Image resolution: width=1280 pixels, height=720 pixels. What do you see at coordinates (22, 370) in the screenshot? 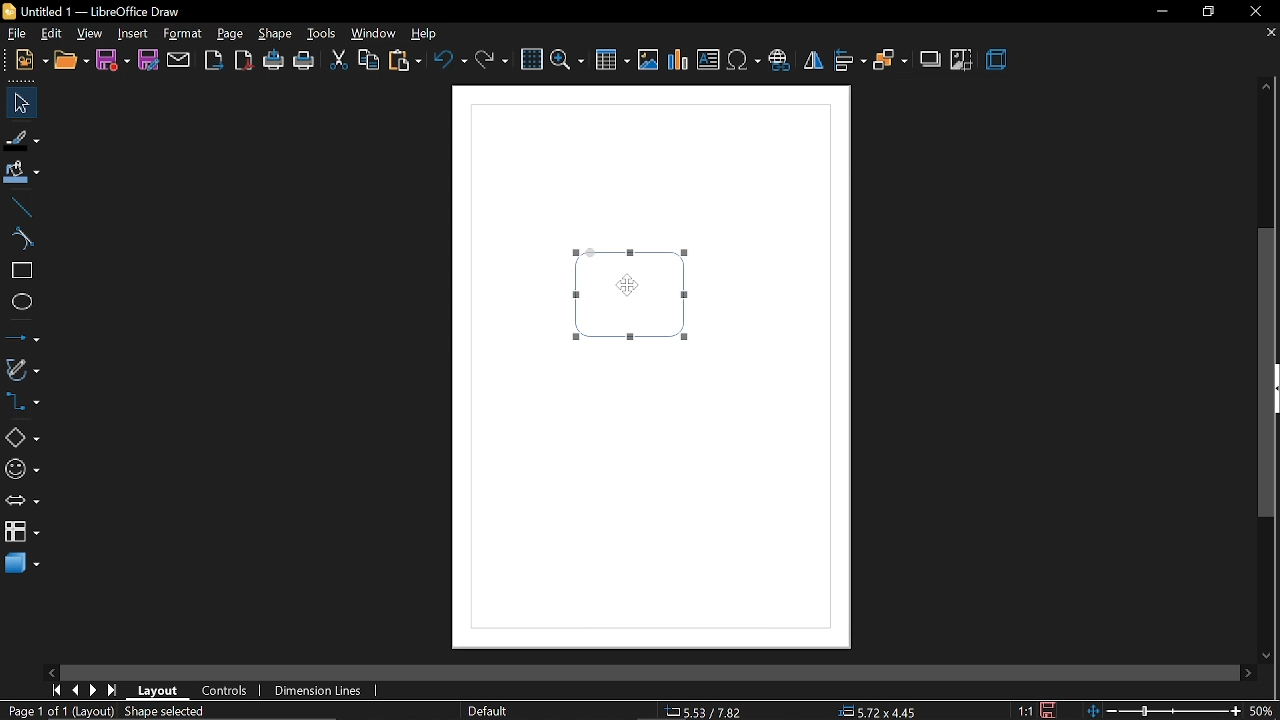
I see `curves and polygons` at bounding box center [22, 370].